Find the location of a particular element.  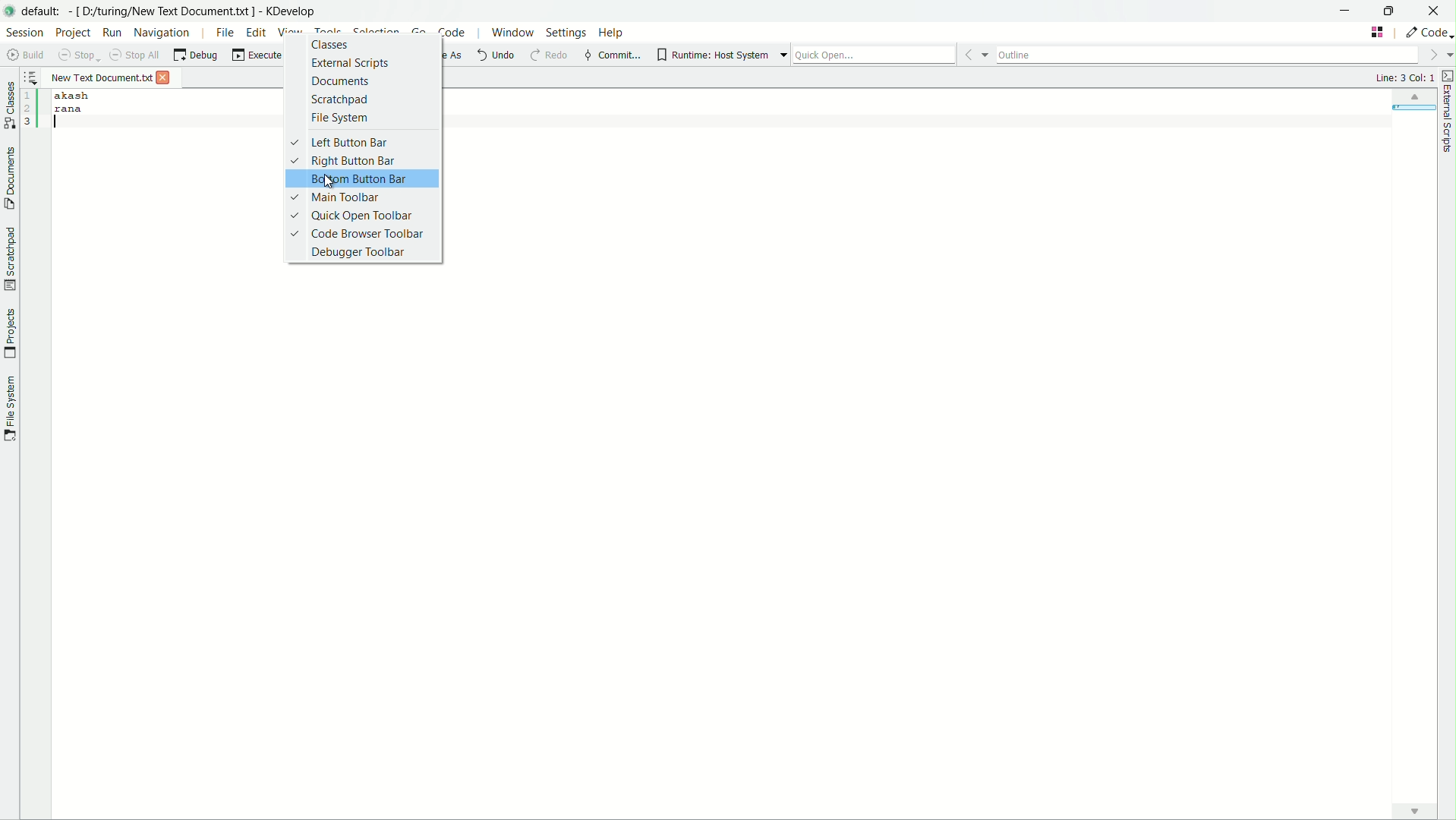

toggle projects is located at coordinates (9, 335).